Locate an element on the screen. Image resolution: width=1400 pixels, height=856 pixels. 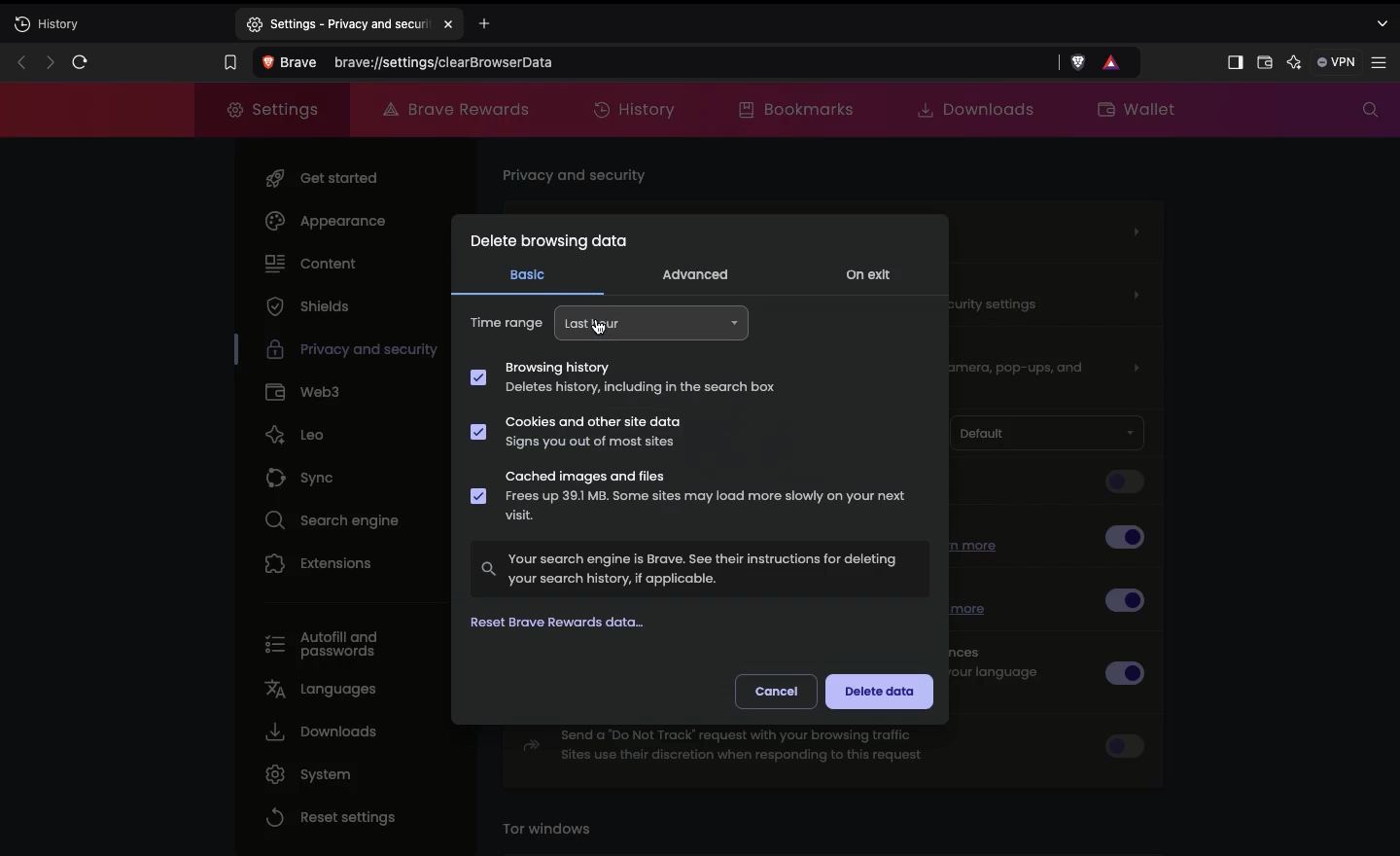
Add new tab is located at coordinates (507, 25).